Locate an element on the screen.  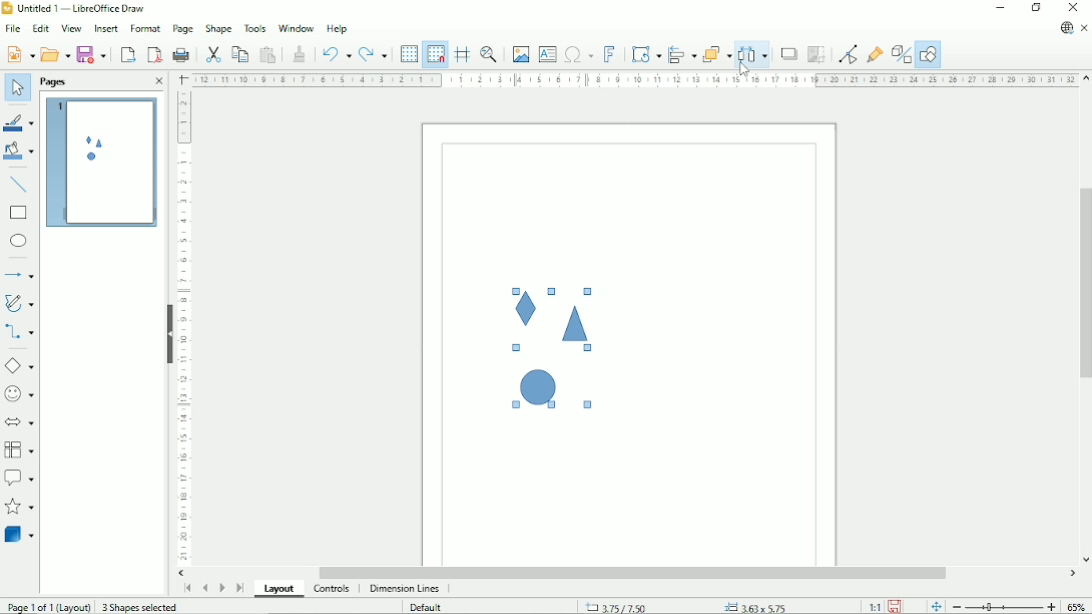
Horizontal scrollbar is located at coordinates (635, 573).